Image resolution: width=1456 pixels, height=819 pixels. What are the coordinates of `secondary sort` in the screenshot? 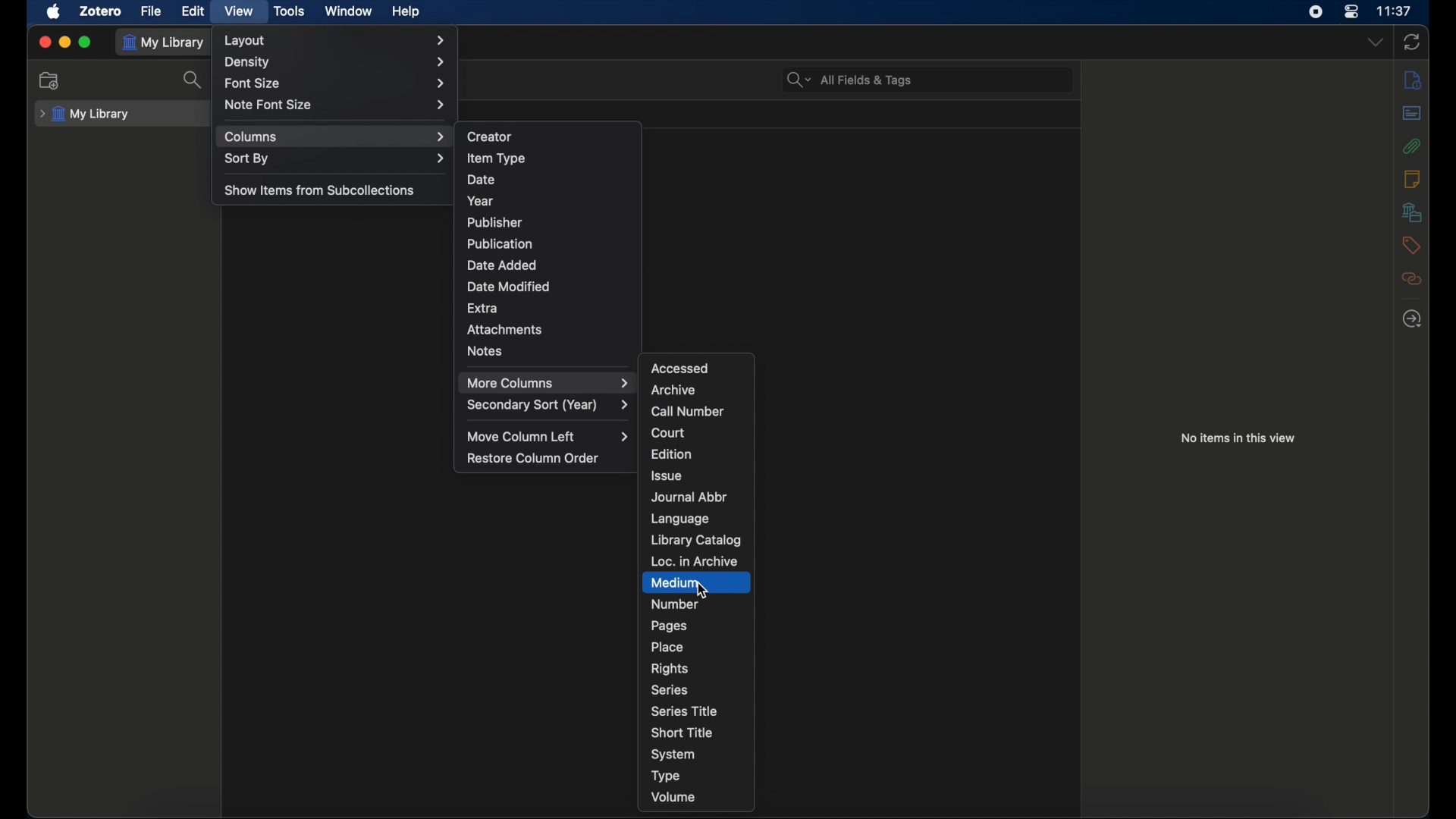 It's located at (549, 404).